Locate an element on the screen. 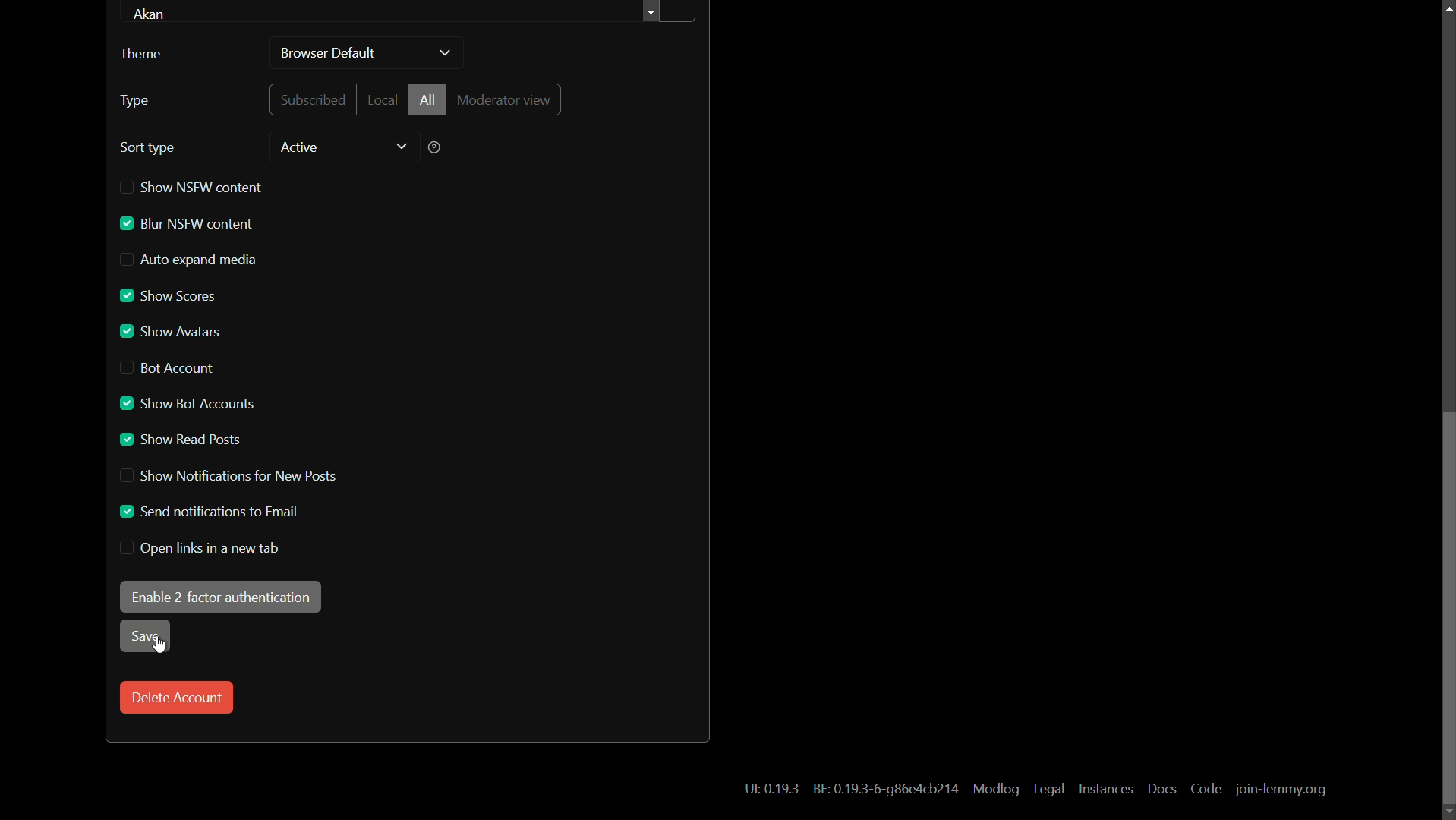 The width and height of the screenshot is (1456, 820). all is located at coordinates (427, 99).